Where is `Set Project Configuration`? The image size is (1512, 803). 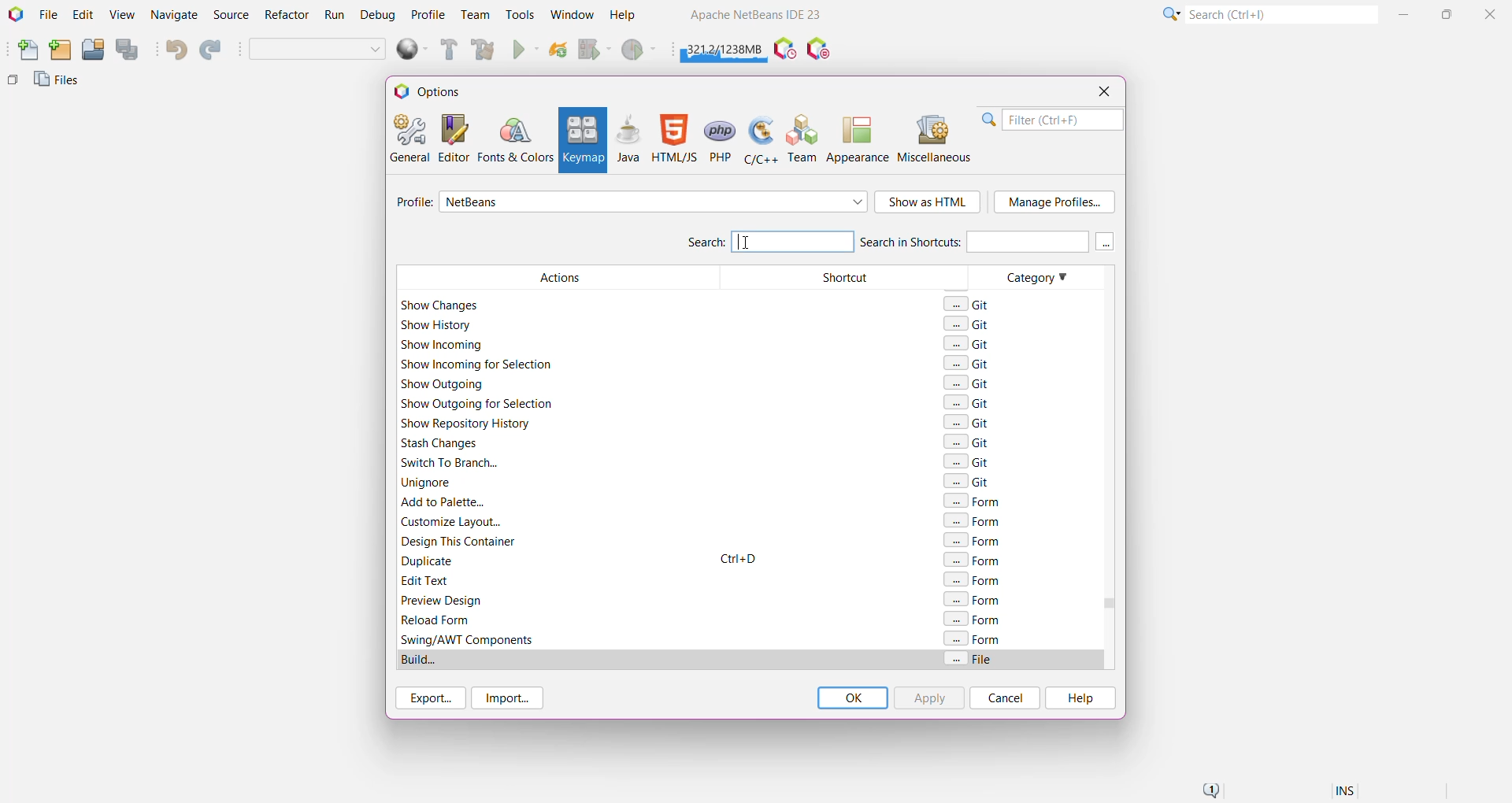
Set Project Configuration is located at coordinates (318, 50).